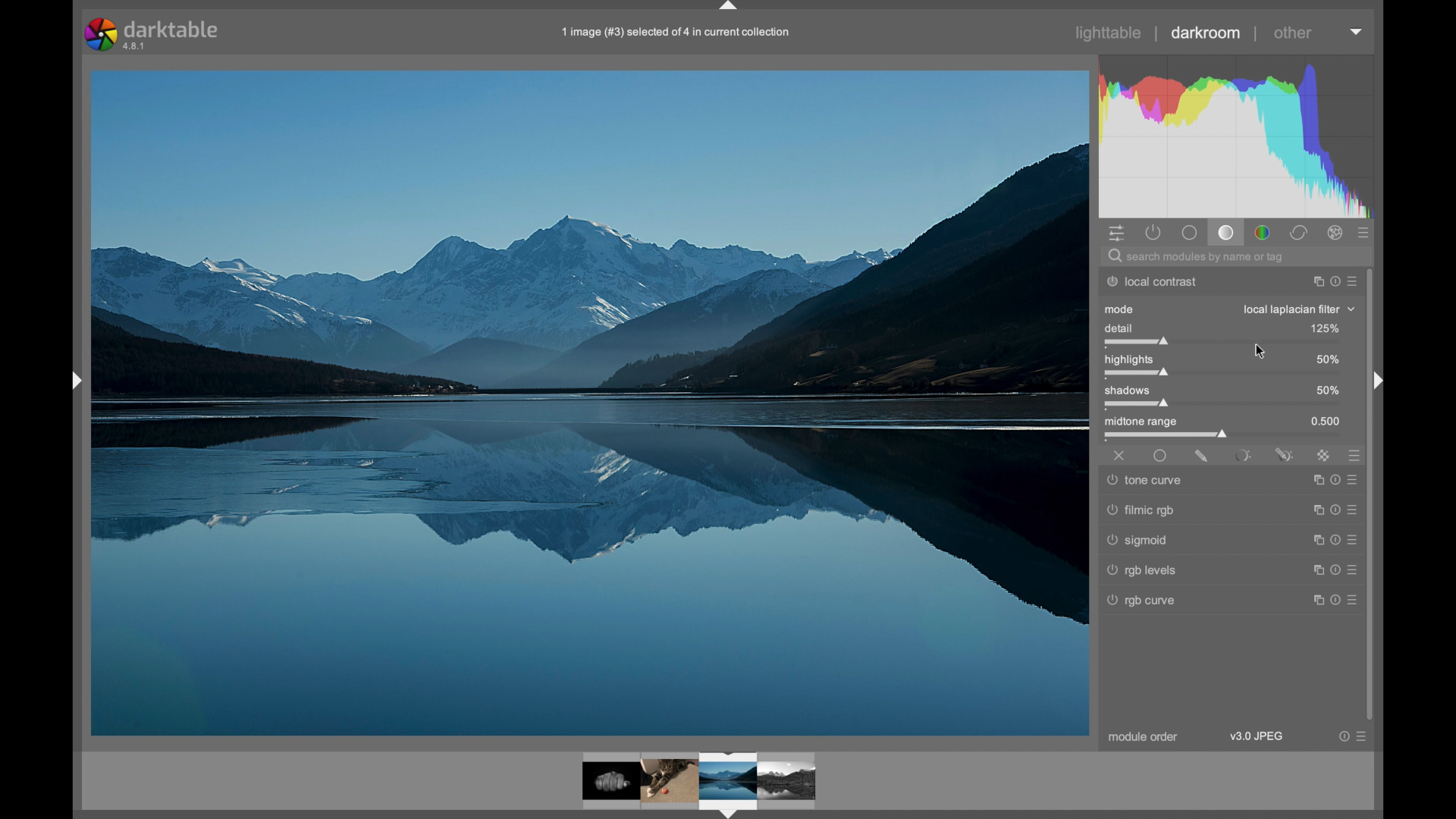 This screenshot has width=1456, height=819. I want to click on presets, so click(1357, 455).